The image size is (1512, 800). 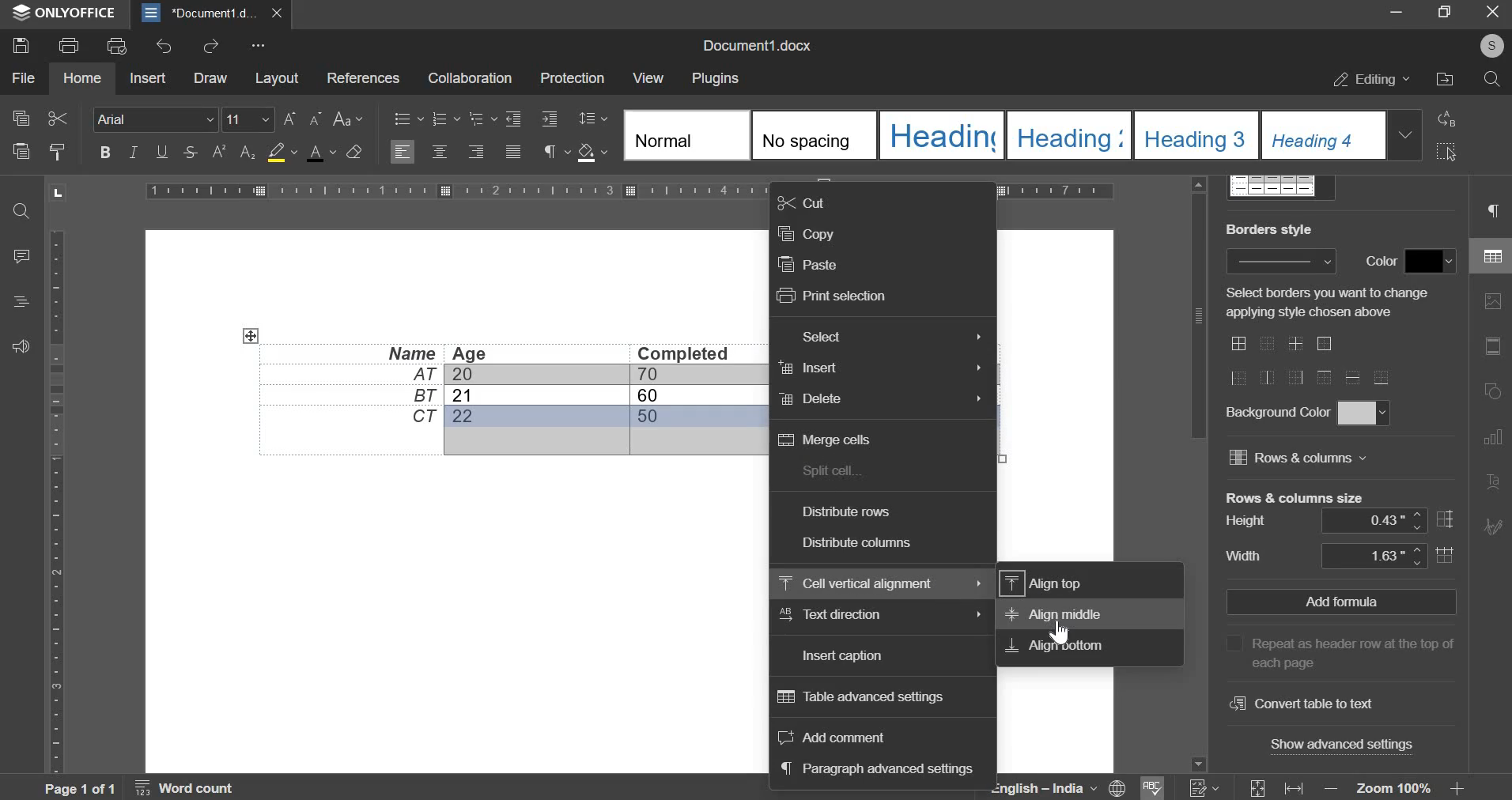 I want to click on vertical slider, so click(x=1199, y=474).